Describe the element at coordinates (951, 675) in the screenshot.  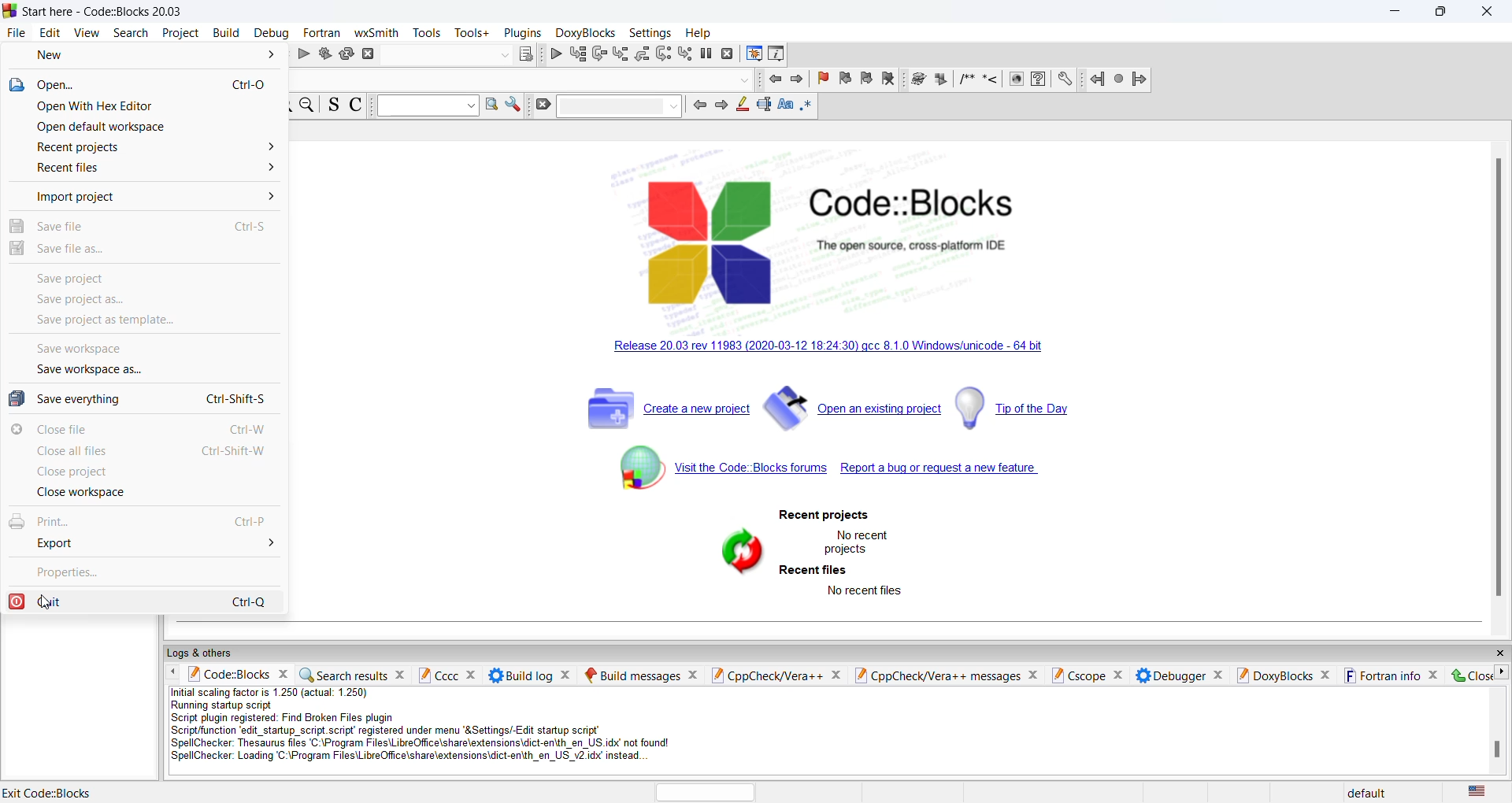
I see `cpp check messages pane` at that location.